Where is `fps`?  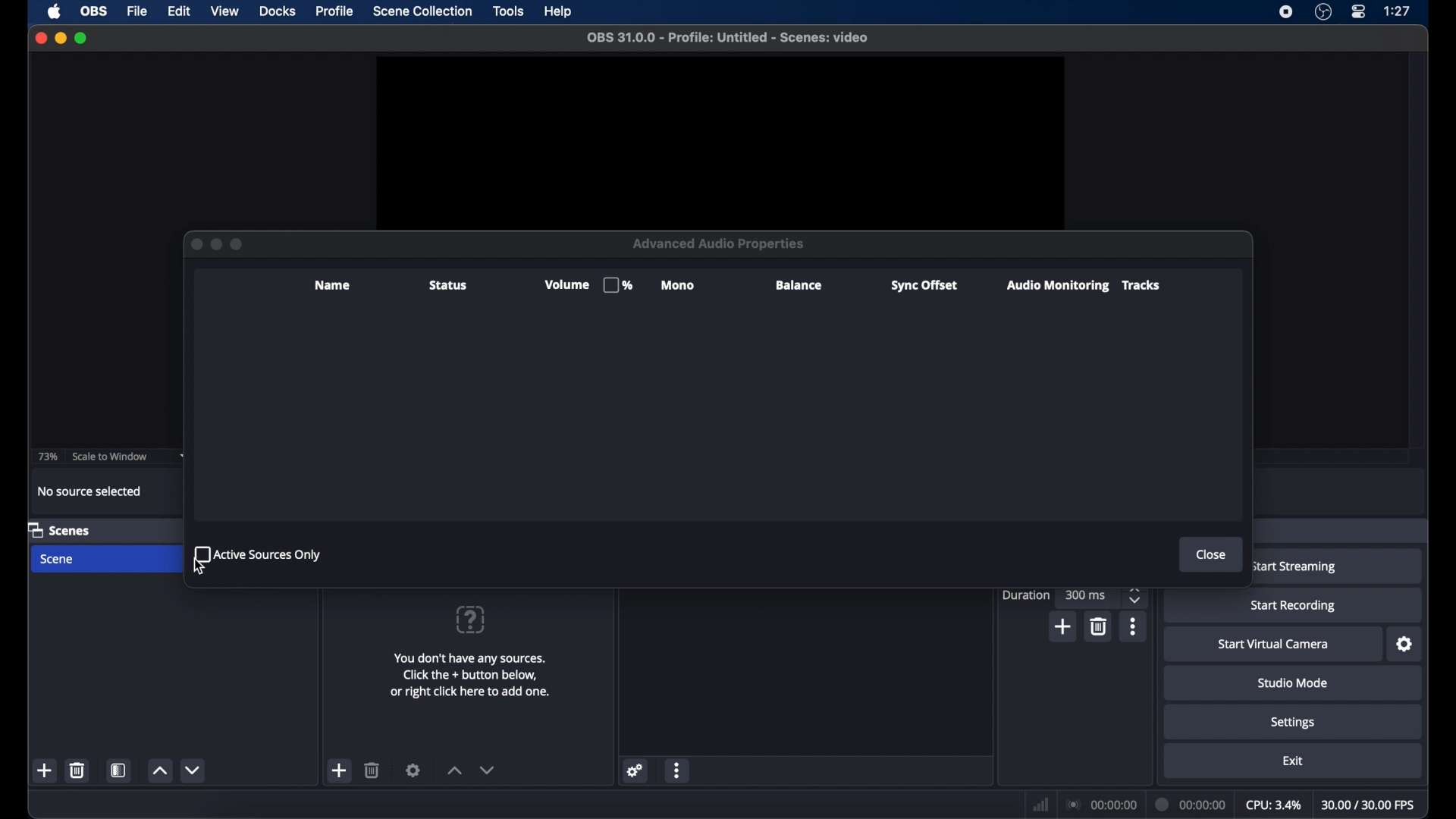
fps is located at coordinates (1370, 805).